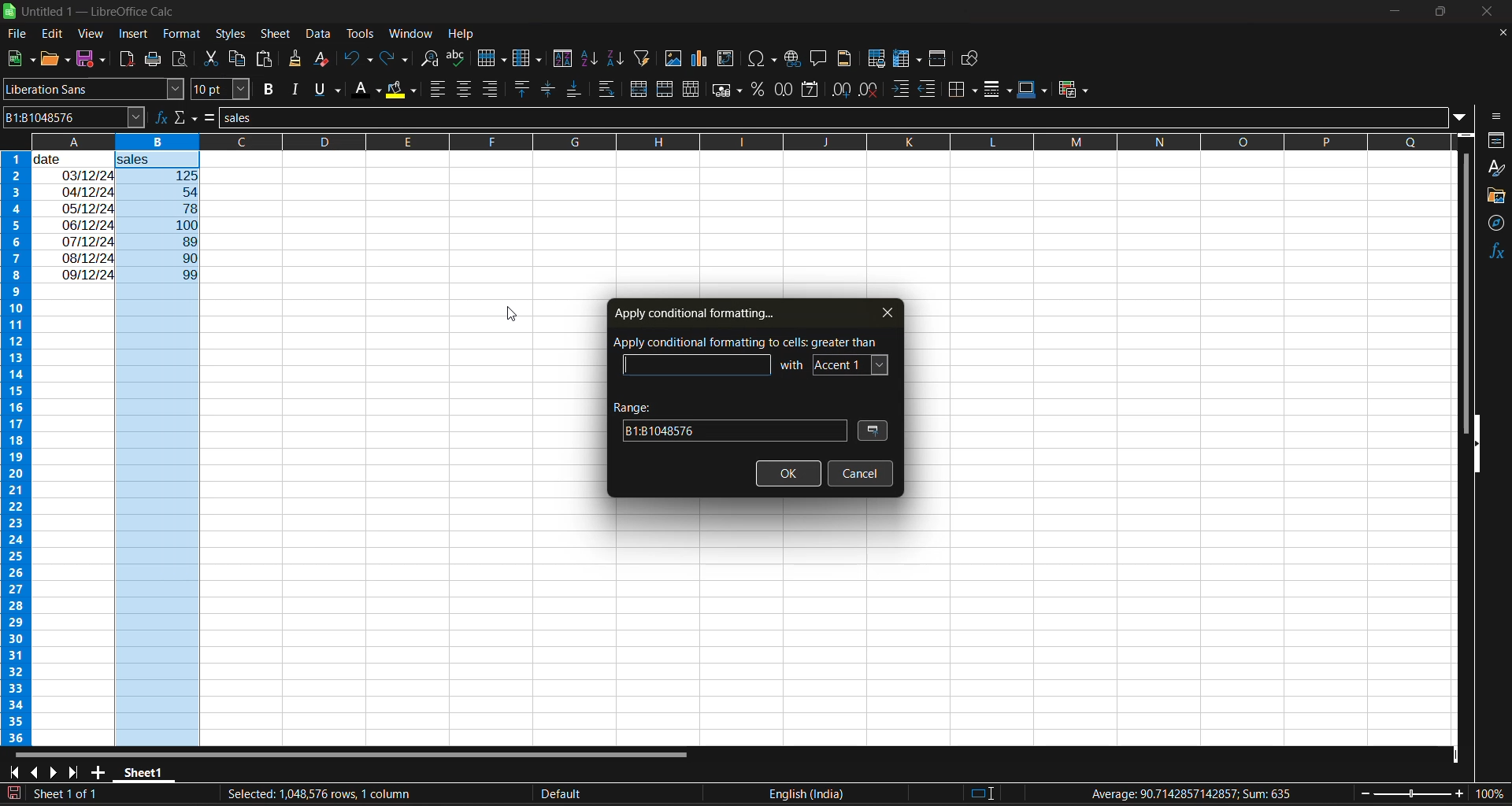 The height and width of the screenshot is (806, 1512). What do you see at coordinates (213, 119) in the screenshot?
I see `formula` at bounding box center [213, 119].